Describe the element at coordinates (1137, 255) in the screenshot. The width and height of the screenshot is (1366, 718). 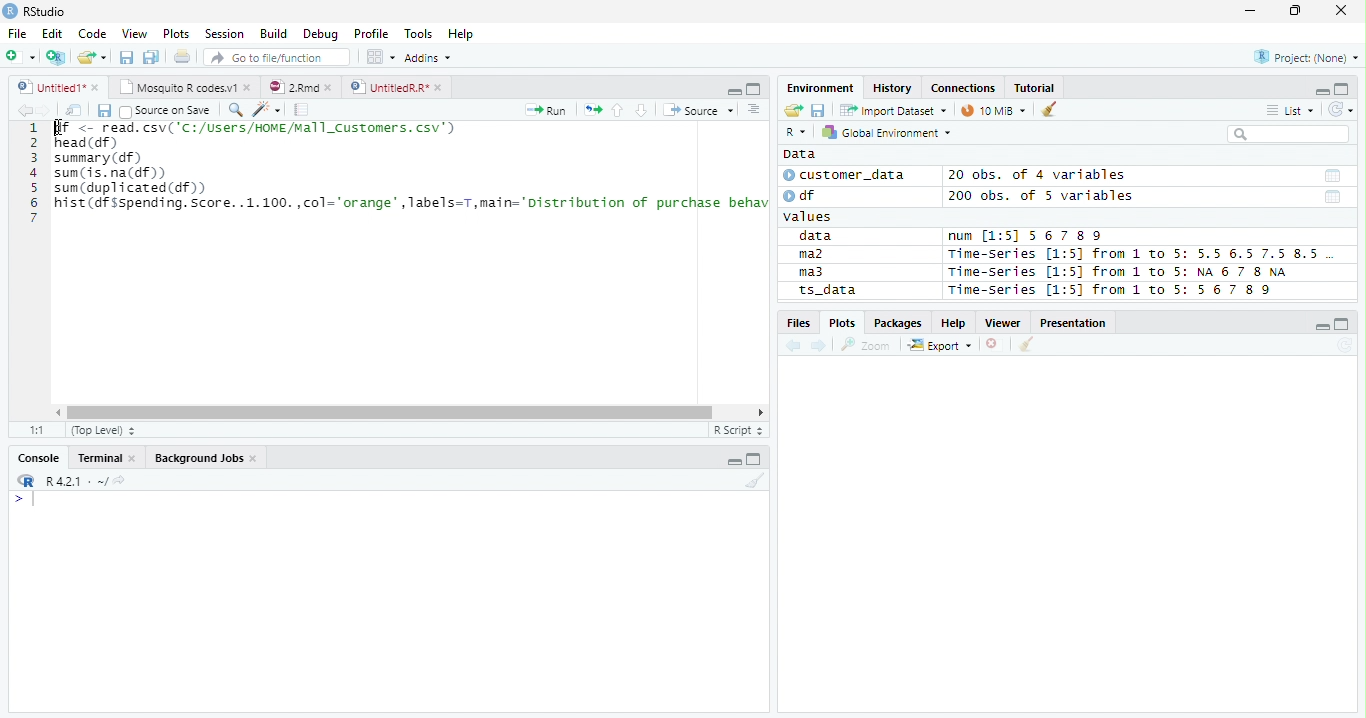
I see `Time-Series [1:5] from 1 to 5: 5.5 6.5 7.5 8.5` at that location.